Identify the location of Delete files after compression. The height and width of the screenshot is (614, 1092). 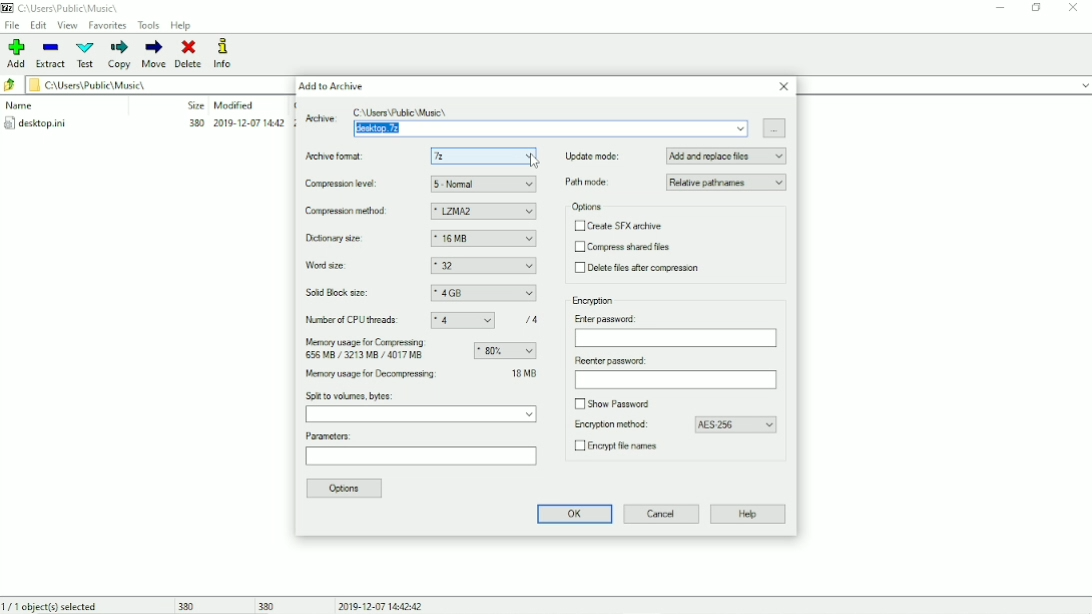
(641, 269).